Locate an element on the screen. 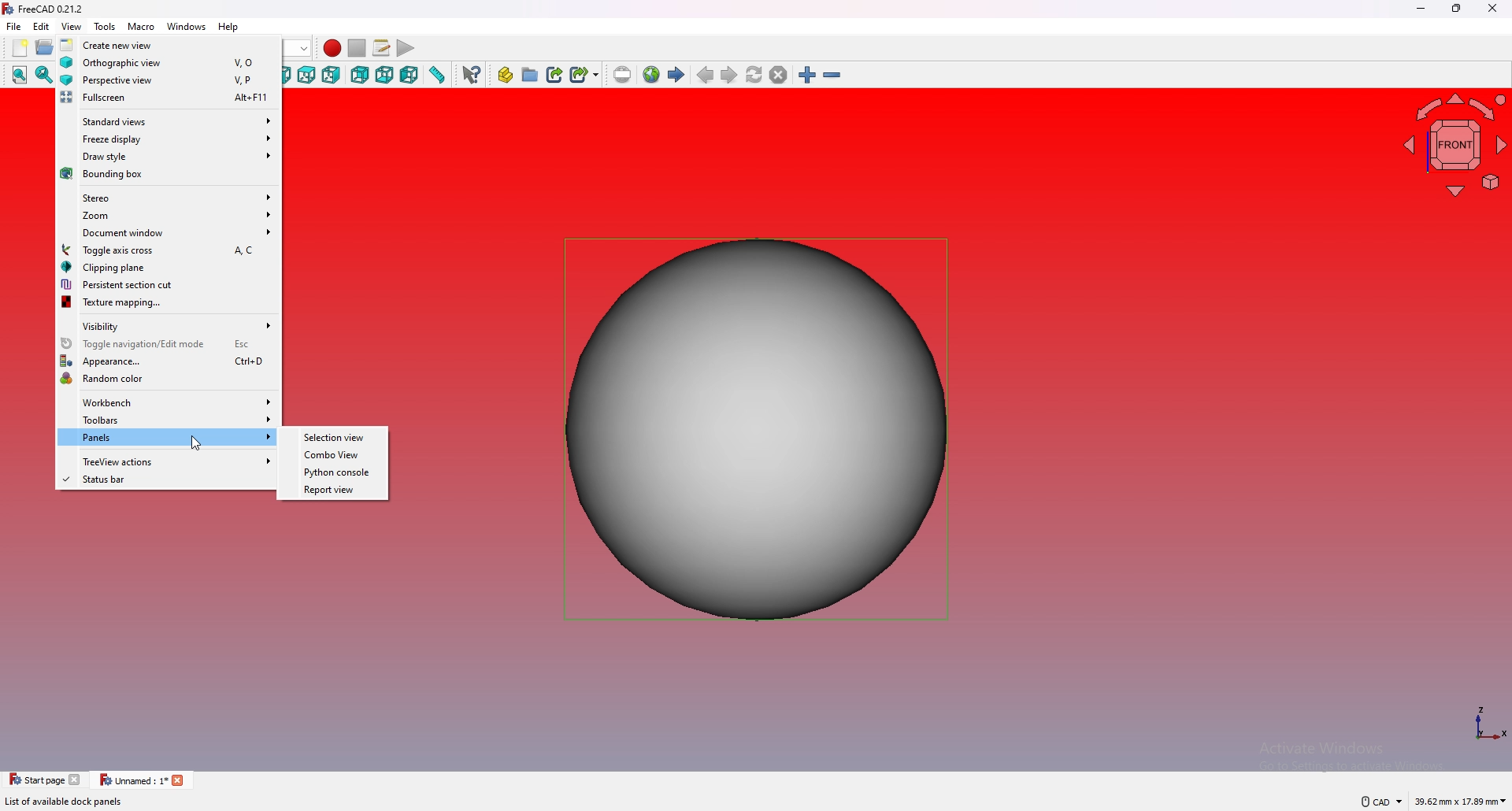  tools is located at coordinates (106, 27).